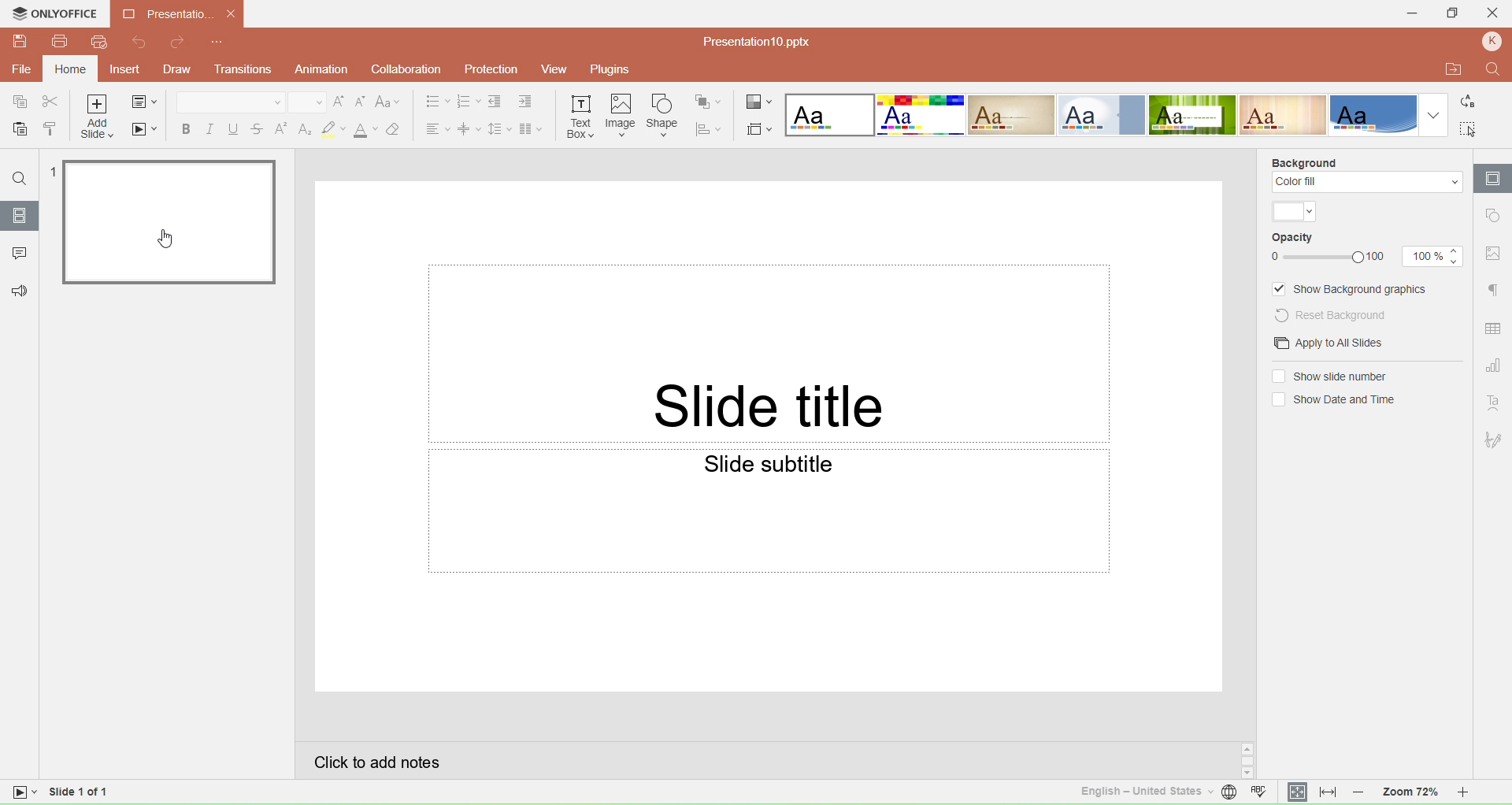  Describe the element at coordinates (304, 102) in the screenshot. I see `Font size` at that location.